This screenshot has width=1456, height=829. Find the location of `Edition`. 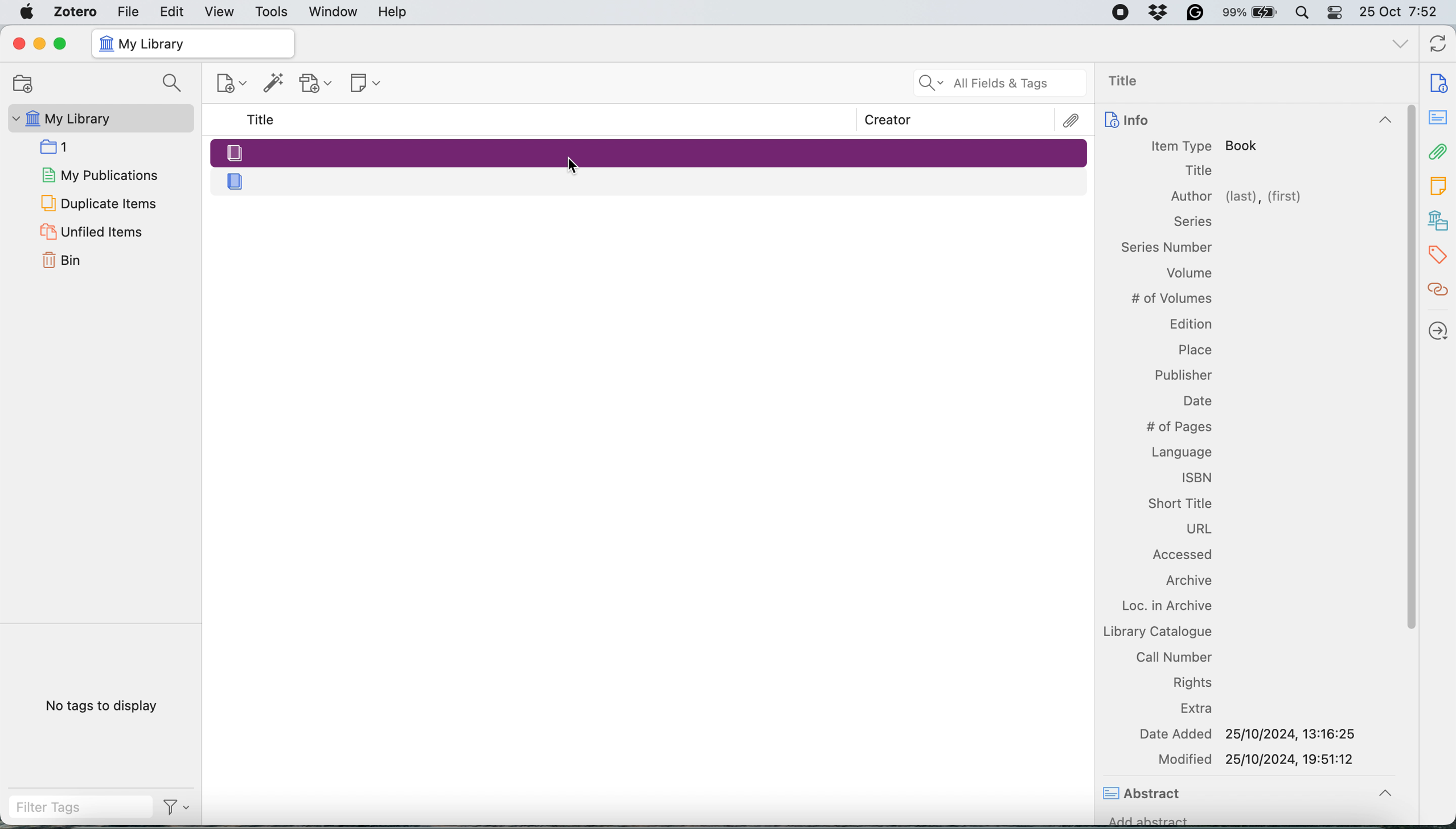

Edition is located at coordinates (1190, 323).